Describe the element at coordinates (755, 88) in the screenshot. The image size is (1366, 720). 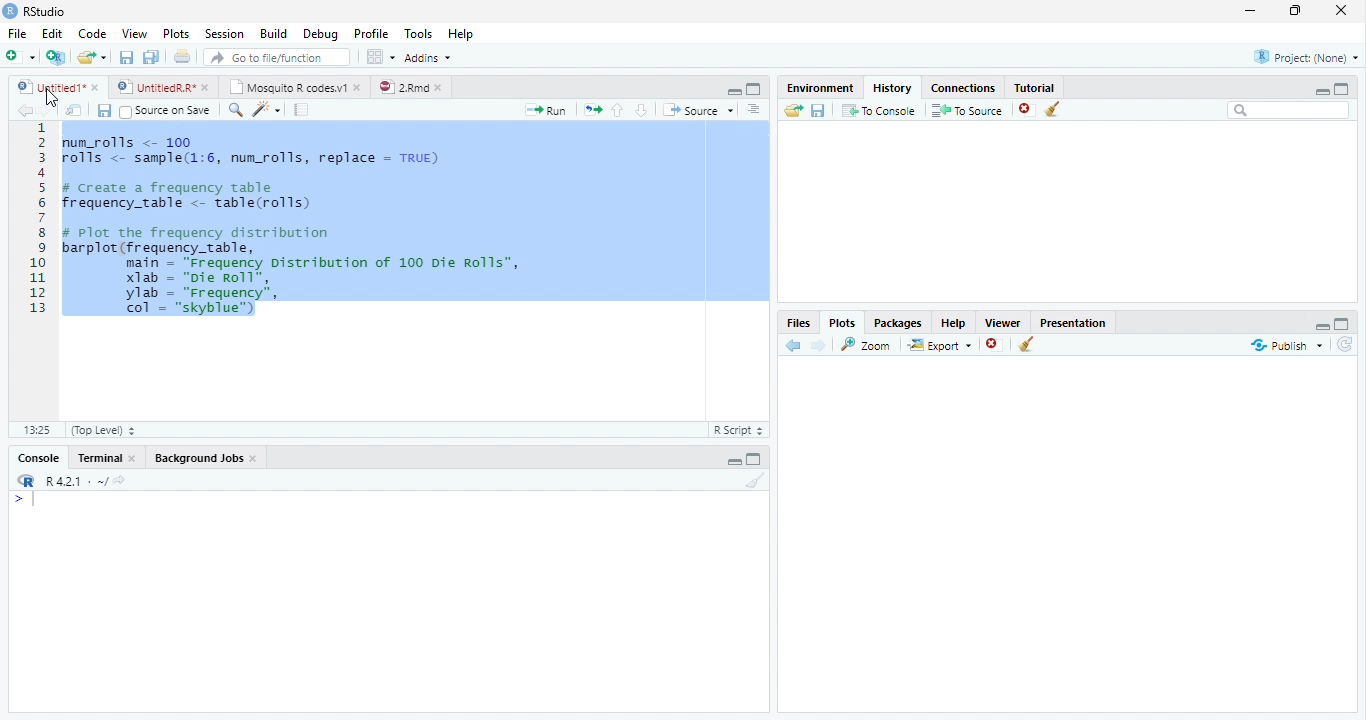
I see `Full Screen` at that location.